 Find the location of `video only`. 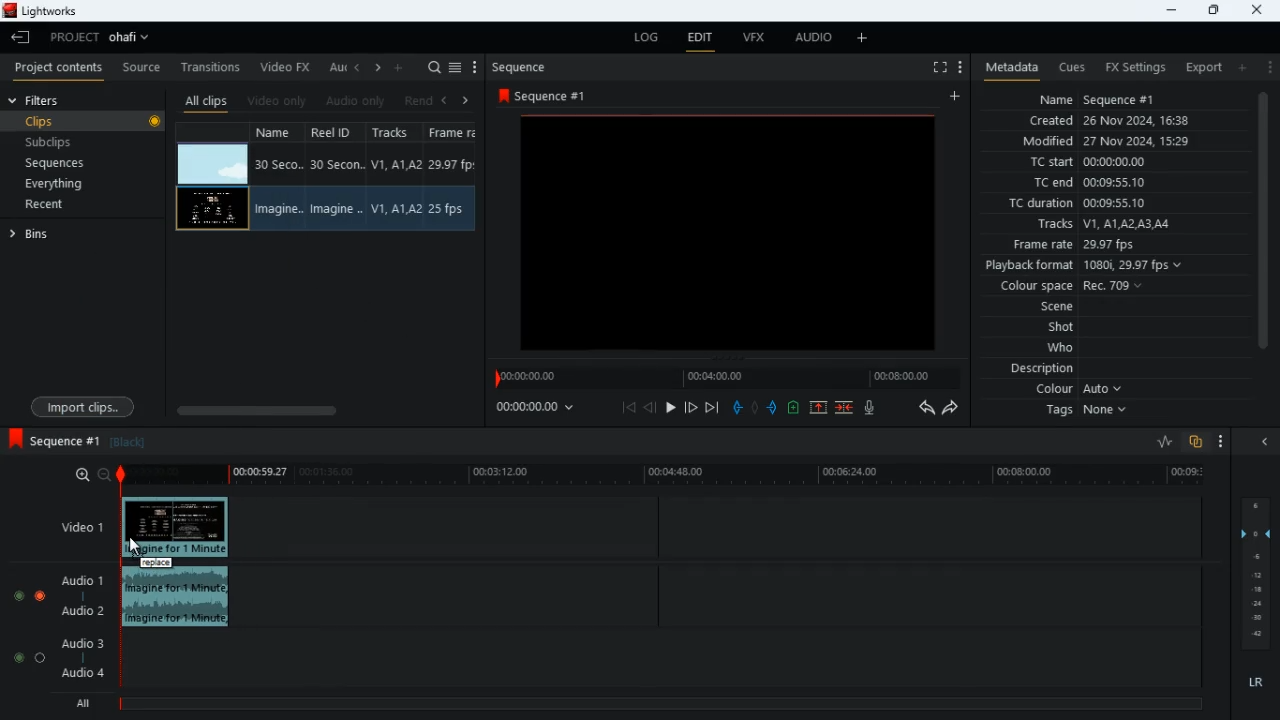

video only is located at coordinates (278, 101).